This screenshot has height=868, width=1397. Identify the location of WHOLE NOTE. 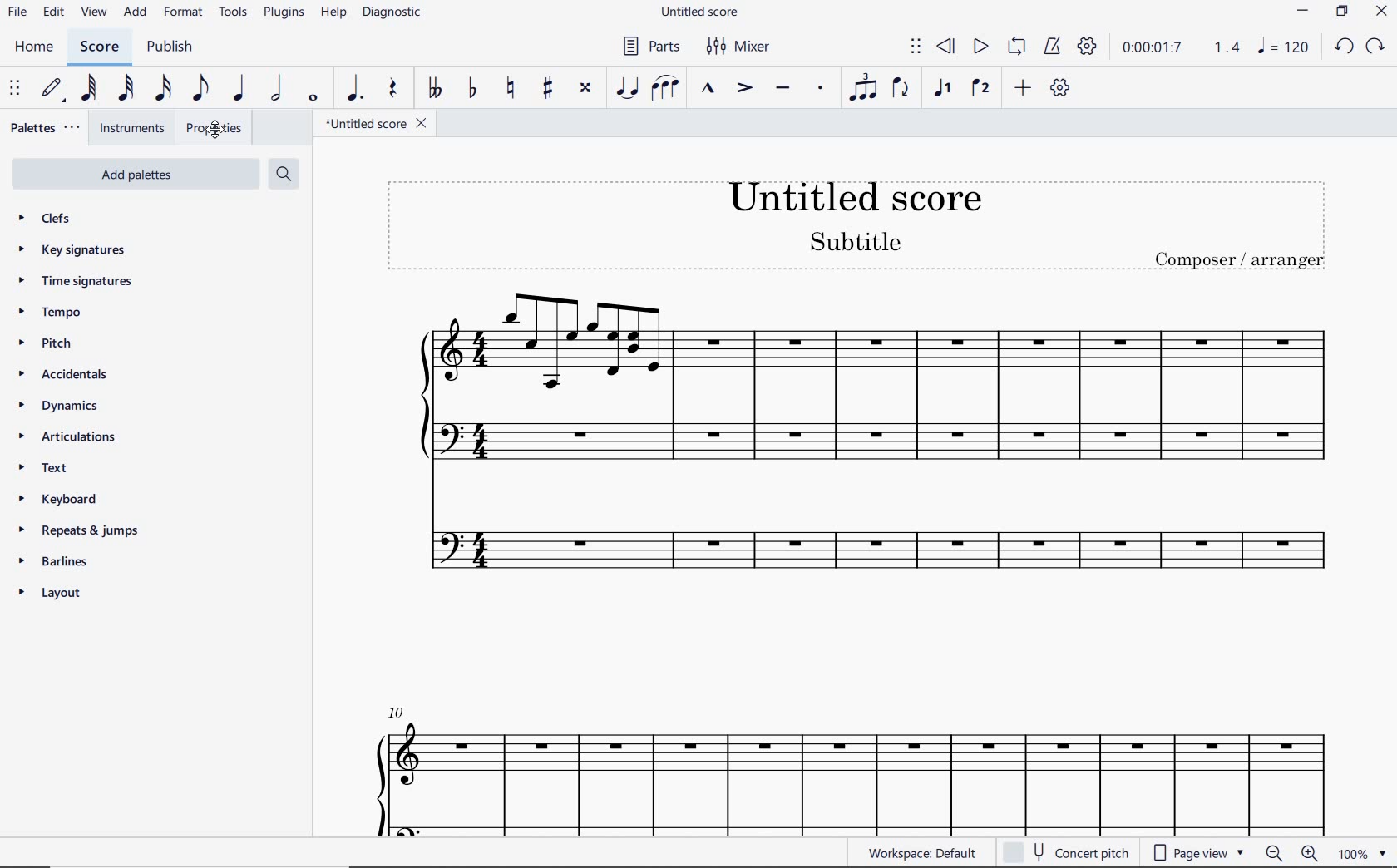
(313, 98).